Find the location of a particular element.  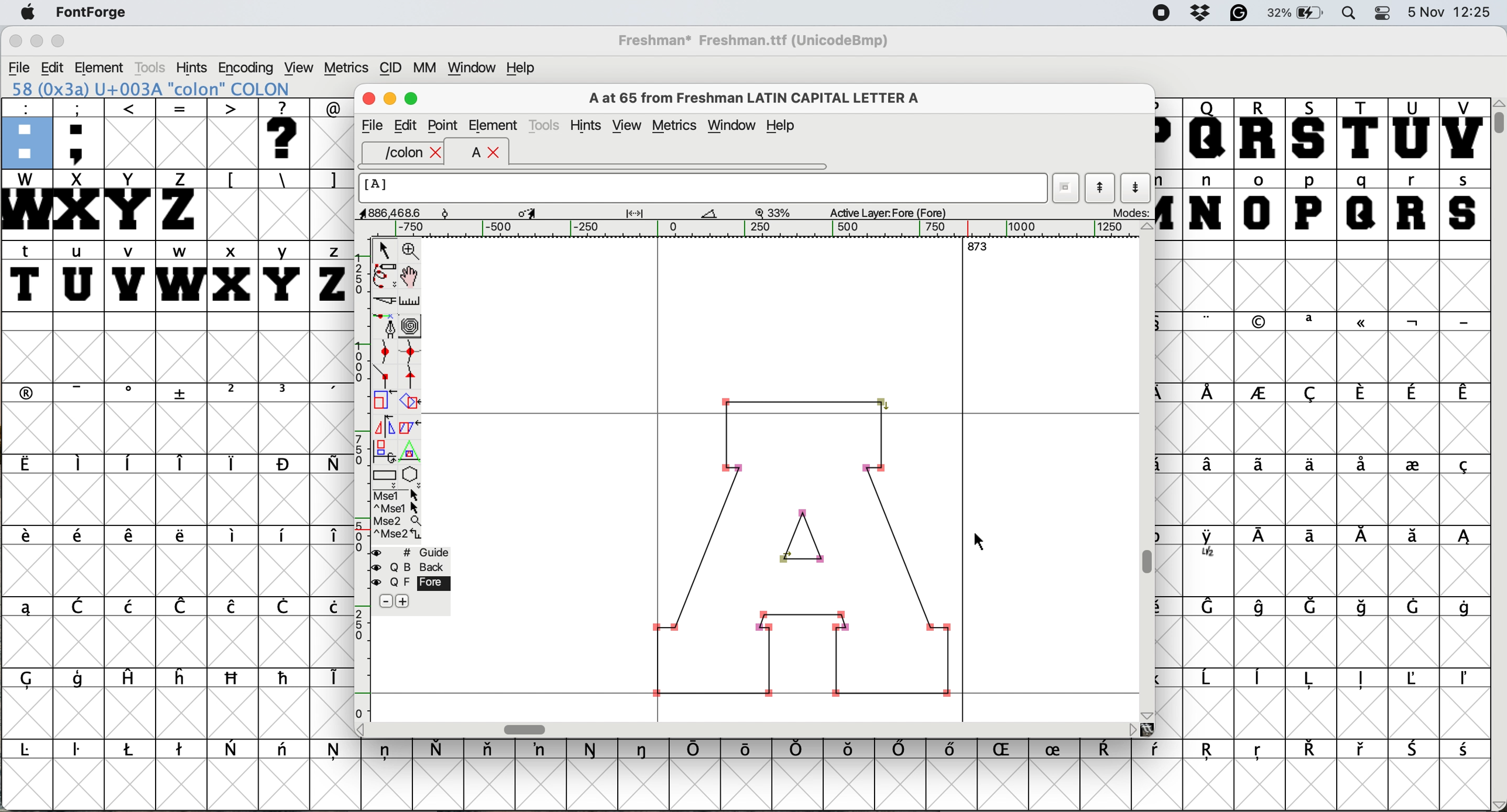

view is located at coordinates (627, 125).